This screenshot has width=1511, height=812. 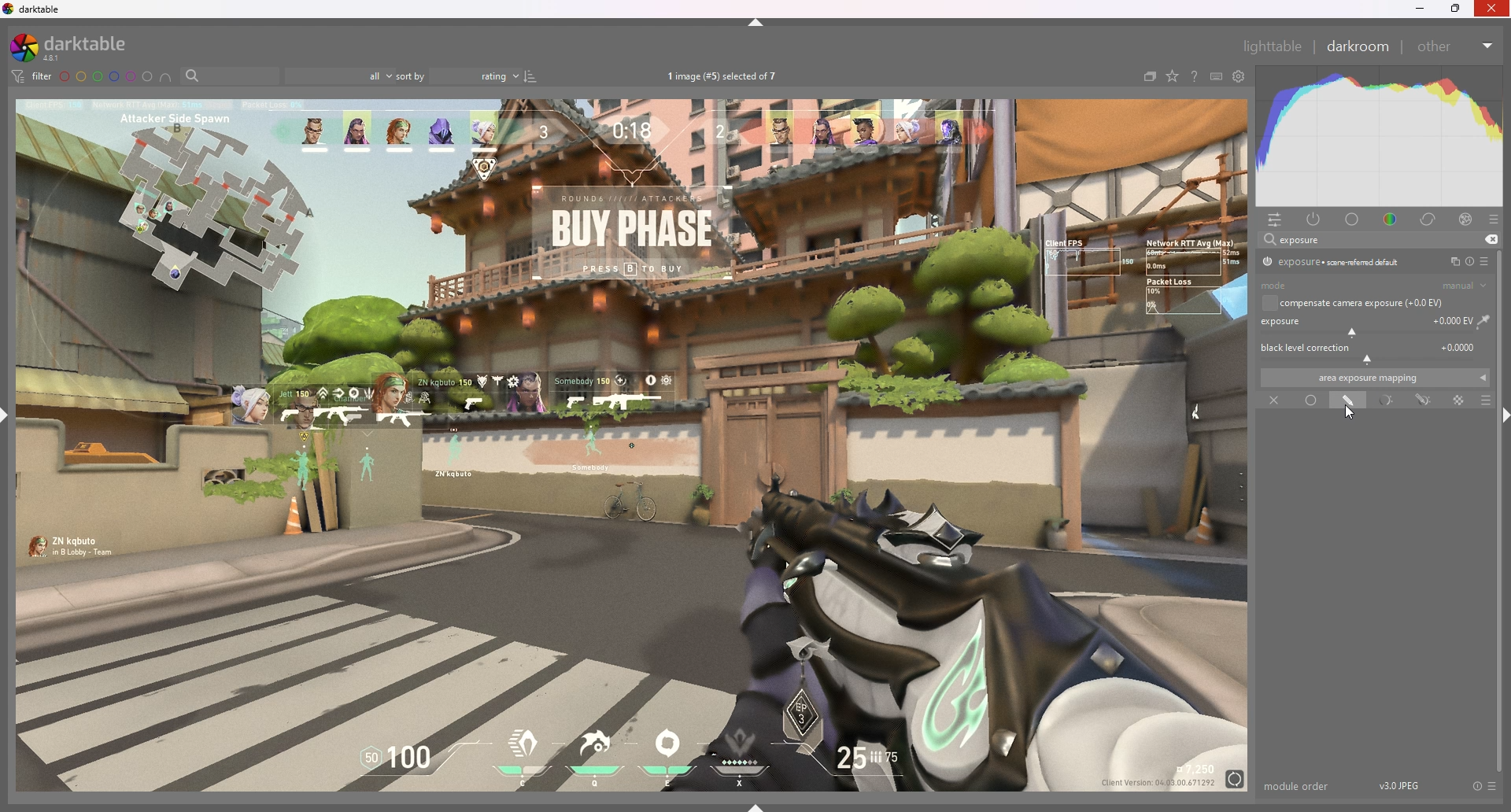 What do you see at coordinates (230, 75) in the screenshot?
I see `filter by name` at bounding box center [230, 75].